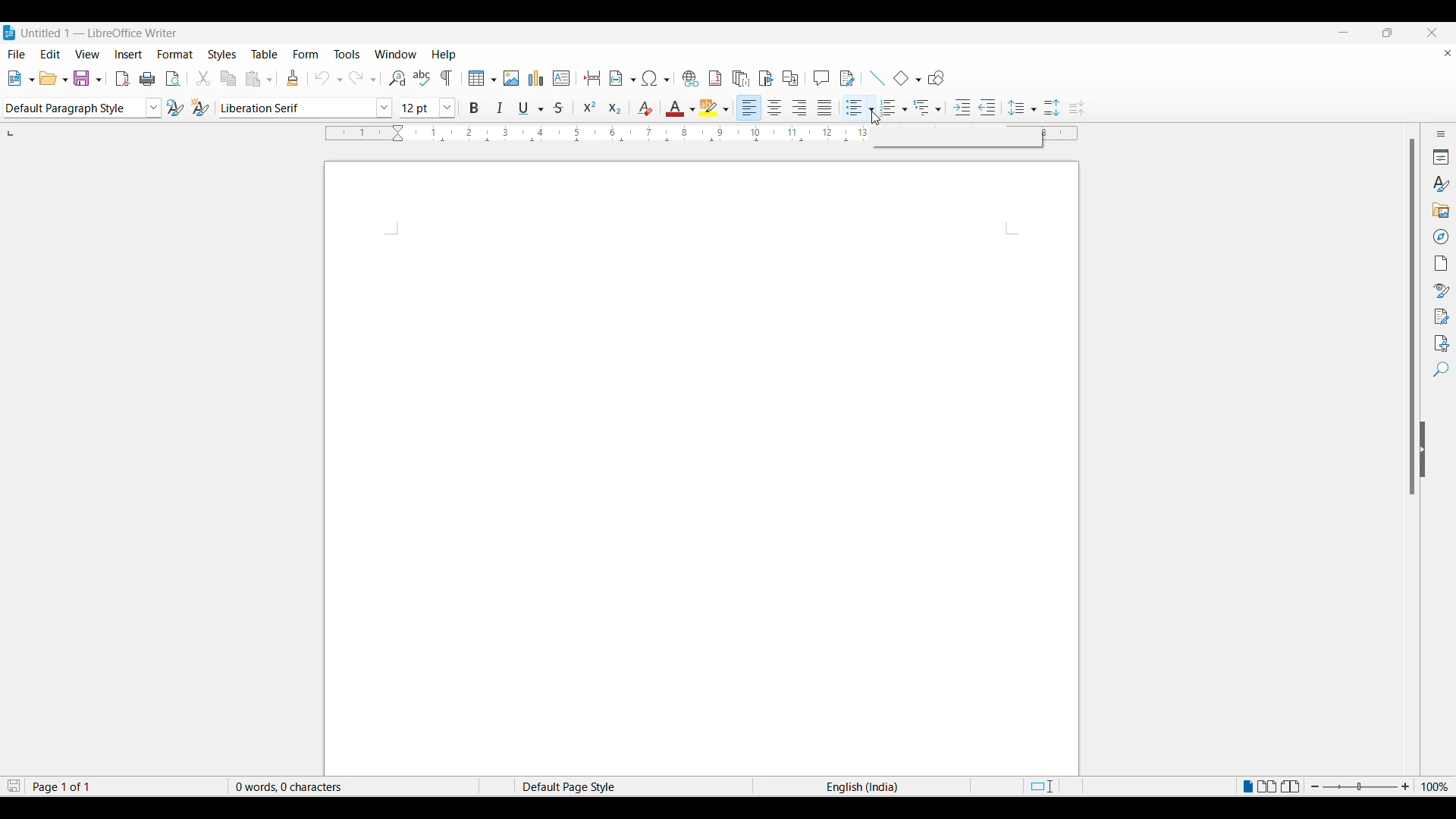 Image resolution: width=1456 pixels, height=819 pixels. Describe the element at coordinates (1437, 343) in the screenshot. I see `Accessibility check` at that location.